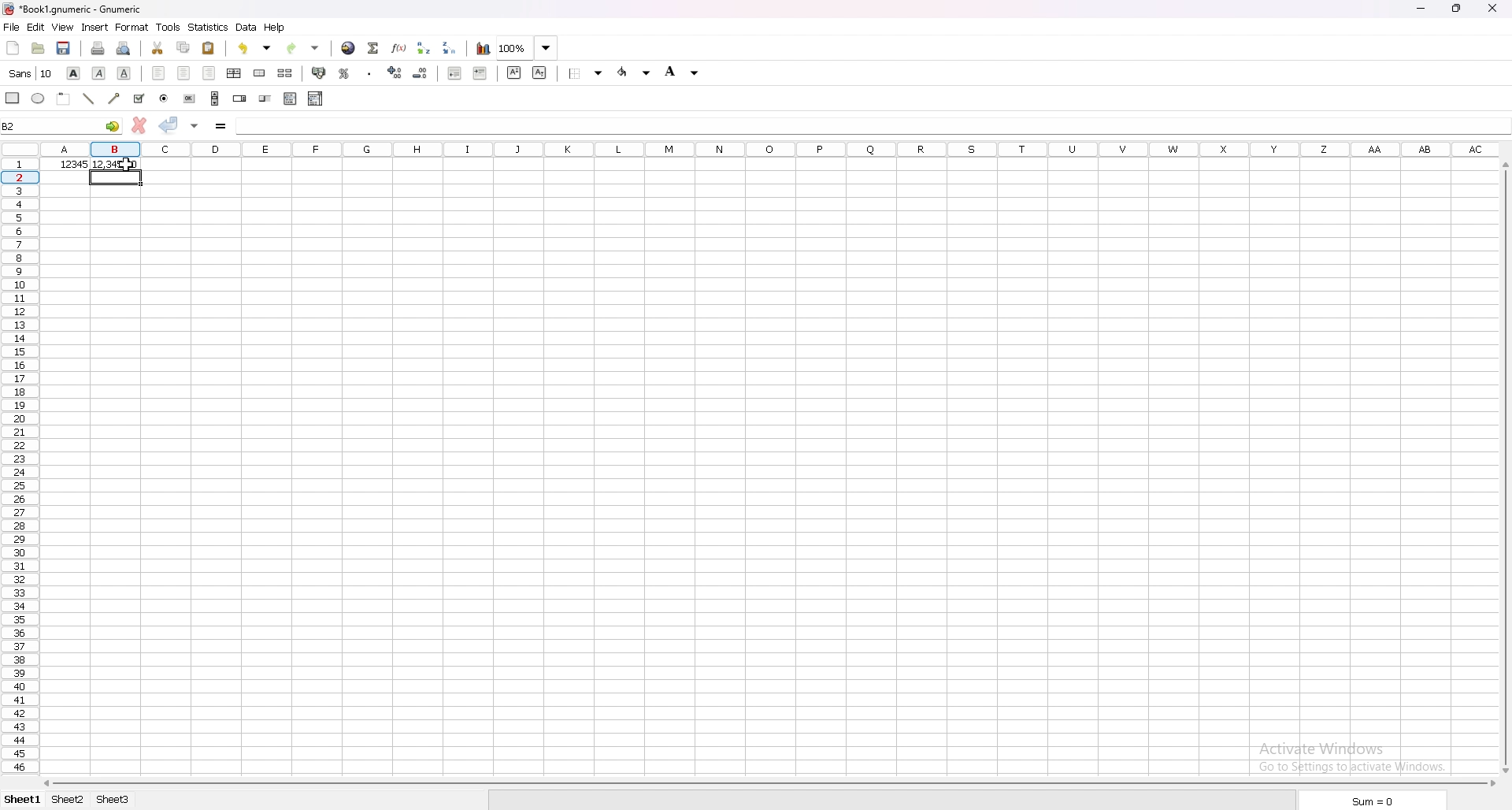 The height and width of the screenshot is (810, 1512). What do you see at coordinates (286, 73) in the screenshot?
I see `split merged cells` at bounding box center [286, 73].